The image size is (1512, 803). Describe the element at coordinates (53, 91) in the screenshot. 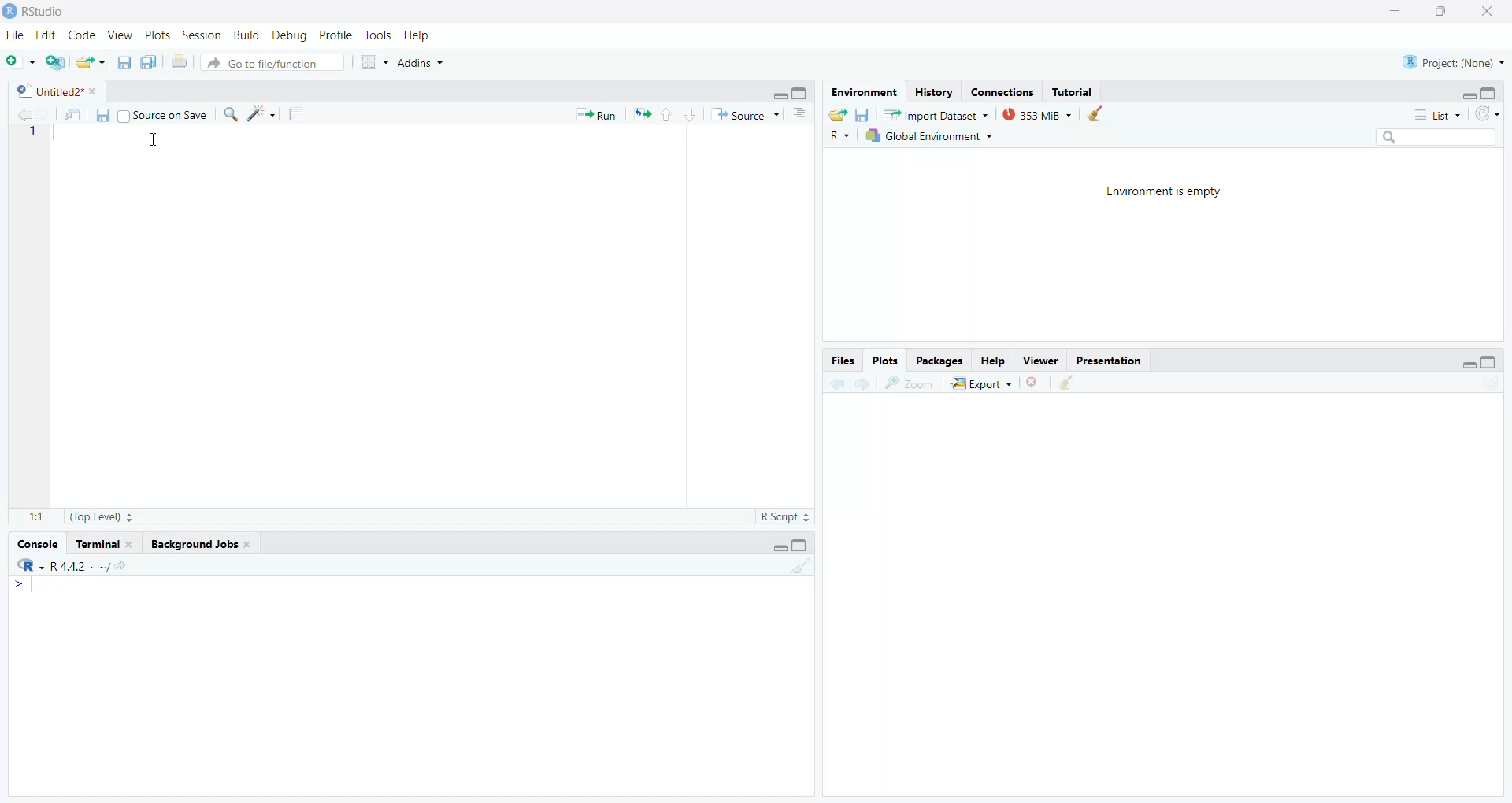

I see ` Untitled2` at that location.